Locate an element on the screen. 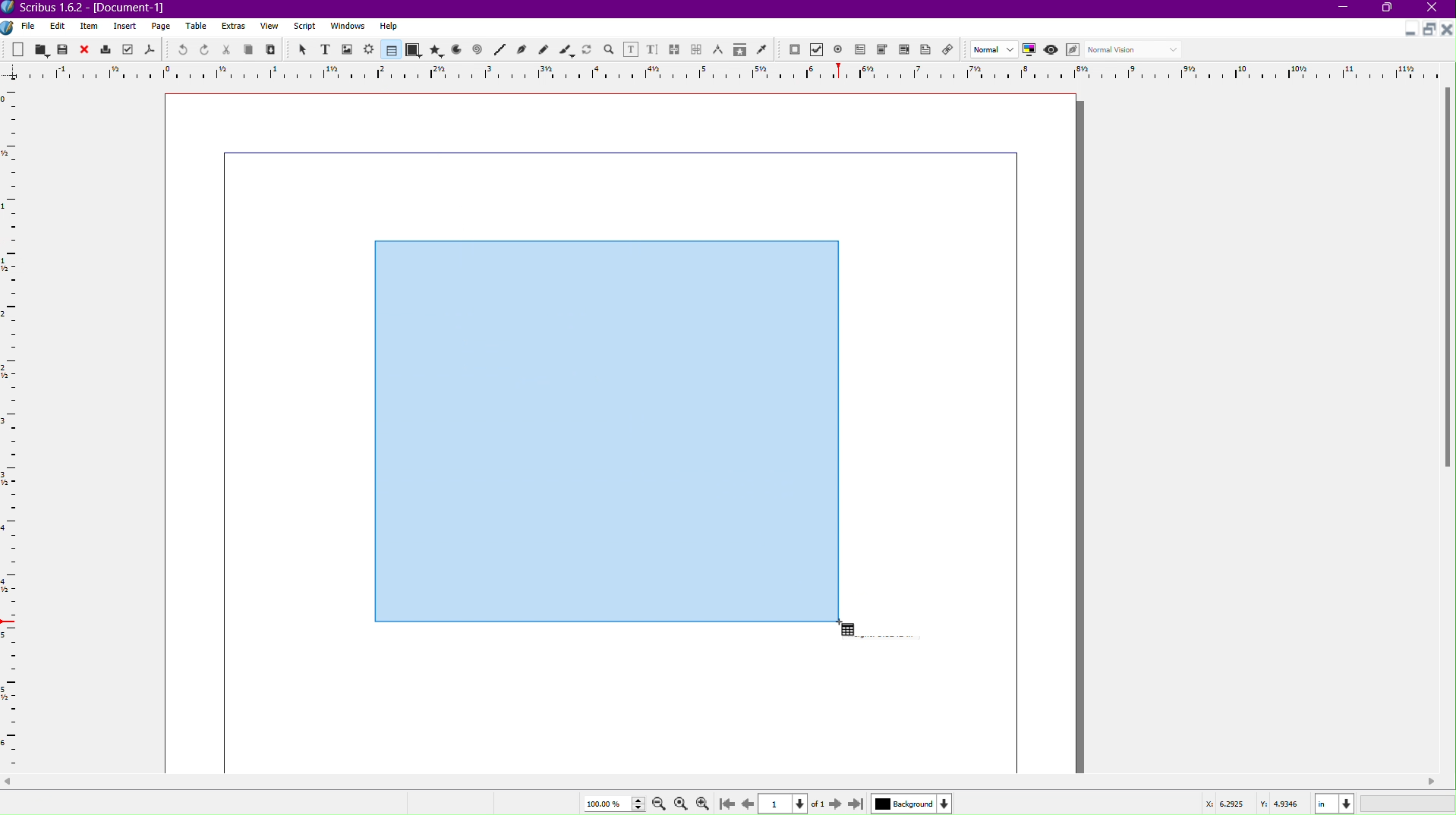 The width and height of the screenshot is (1456, 815). Table is located at coordinates (389, 50).